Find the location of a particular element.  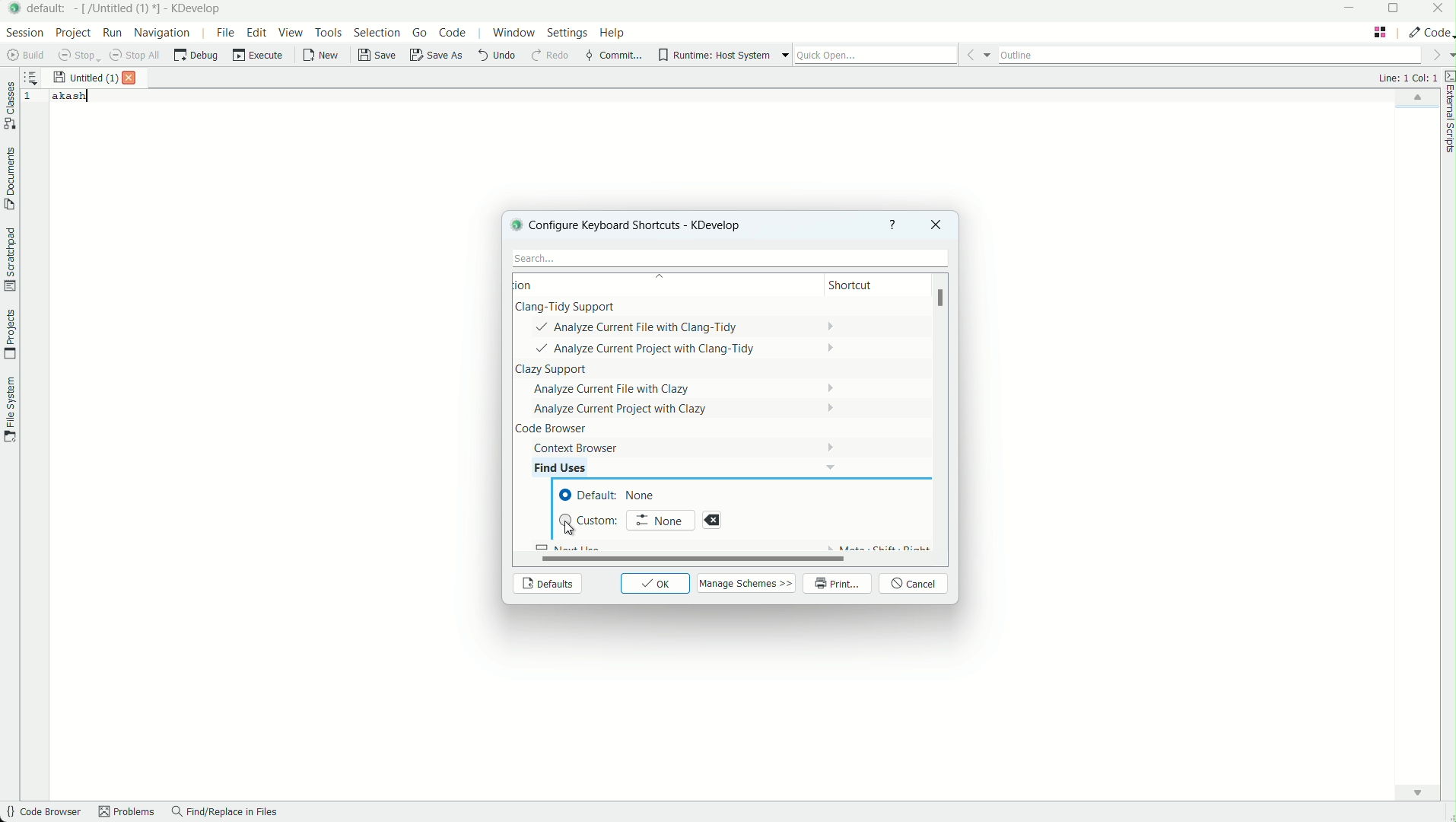

undo is located at coordinates (495, 56).